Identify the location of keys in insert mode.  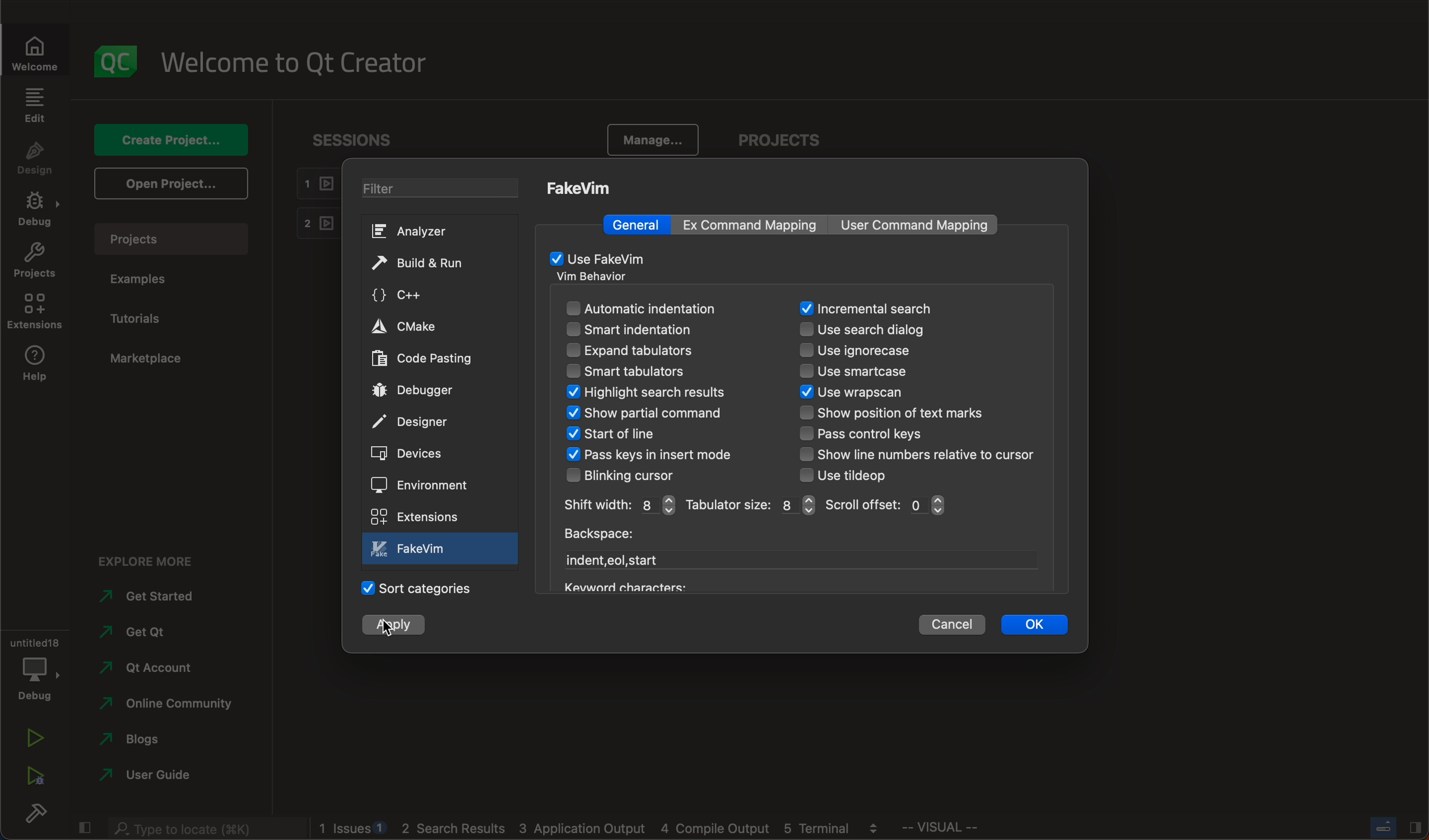
(667, 456).